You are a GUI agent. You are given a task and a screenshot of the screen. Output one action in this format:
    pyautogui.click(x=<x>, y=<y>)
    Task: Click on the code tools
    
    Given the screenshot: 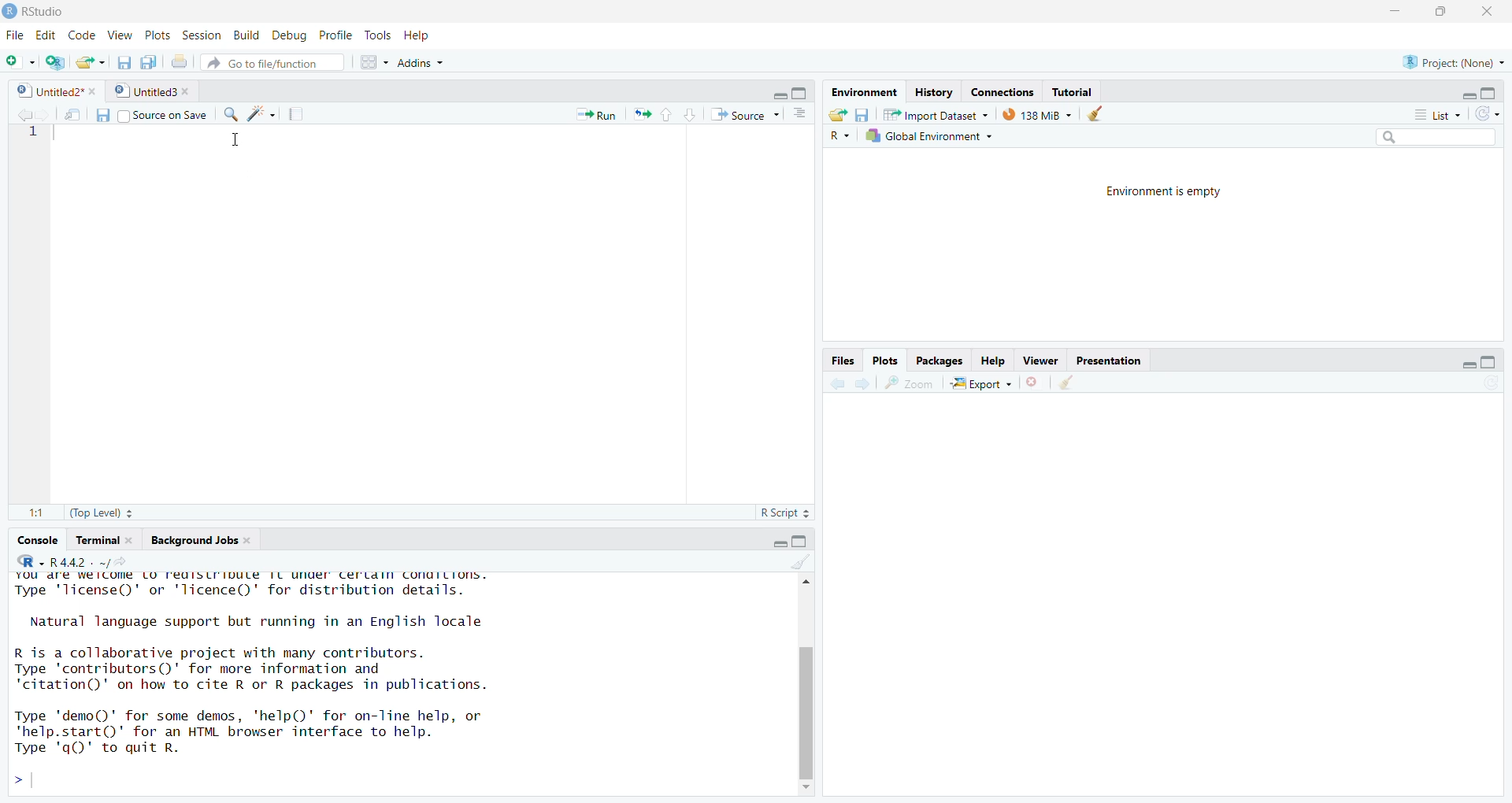 What is the action you would take?
    pyautogui.click(x=263, y=115)
    